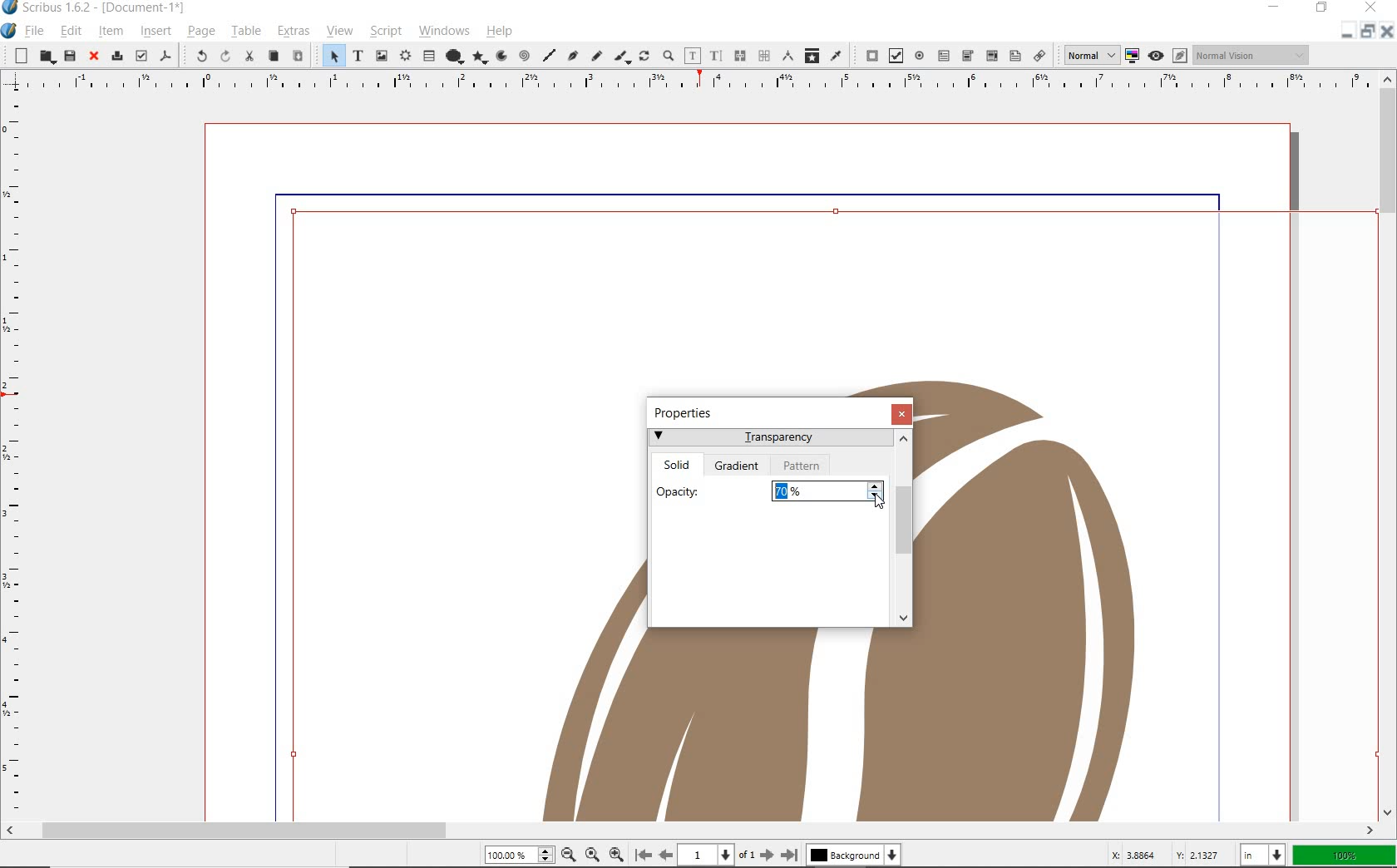 This screenshot has width=1397, height=868. I want to click on scrollbar, so click(1389, 446).